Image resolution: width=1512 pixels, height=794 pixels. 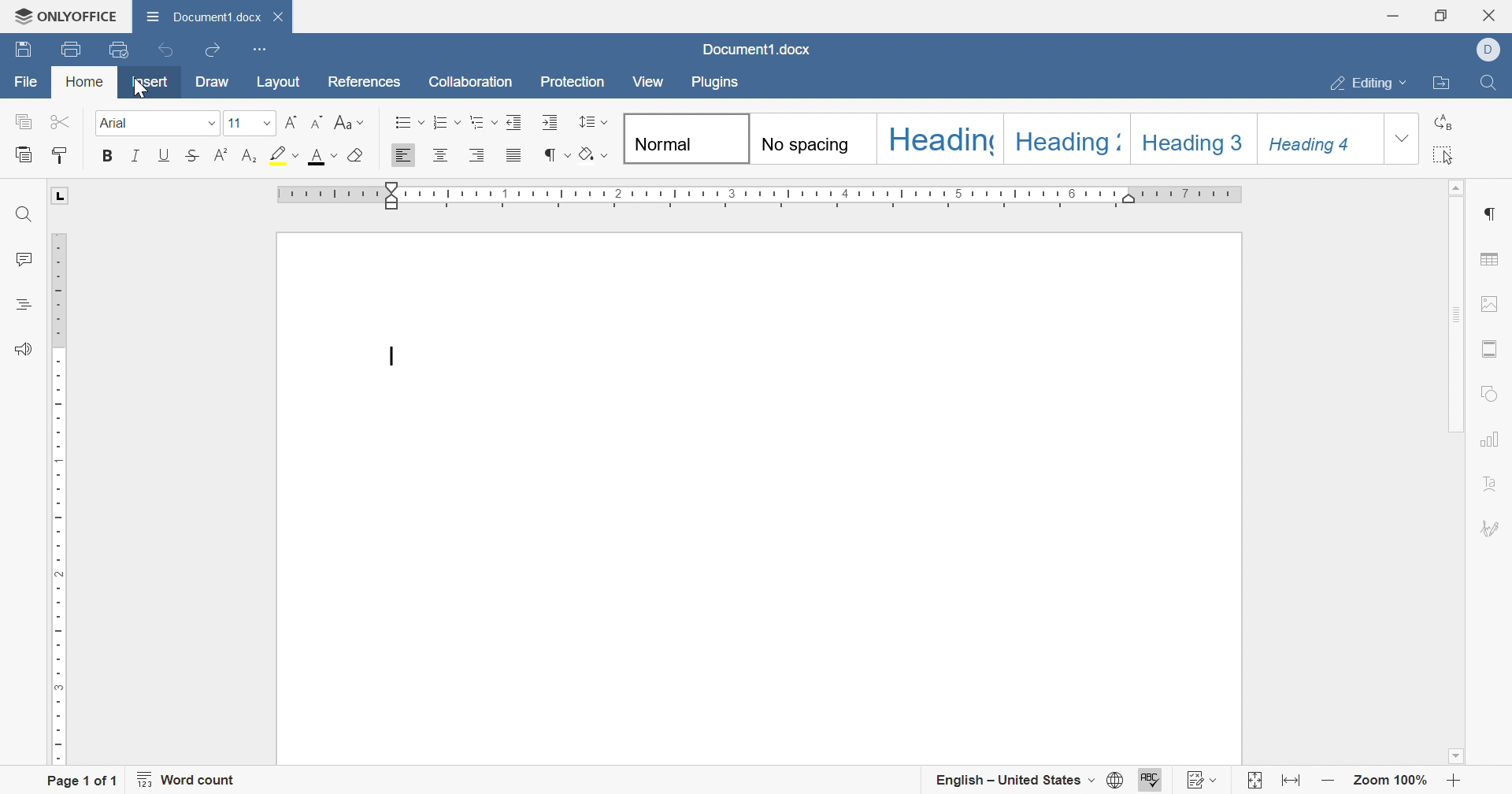 What do you see at coordinates (1191, 143) in the screenshot?
I see `Heading 3` at bounding box center [1191, 143].